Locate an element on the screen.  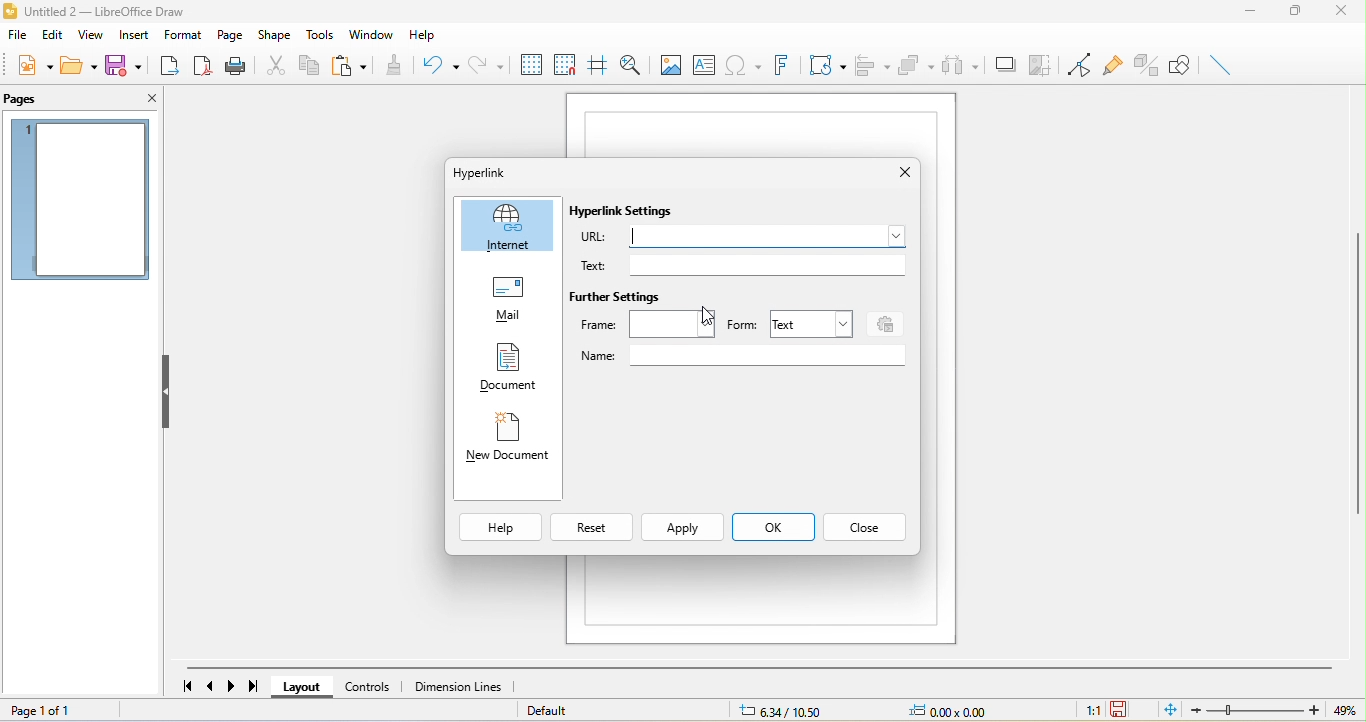
font work text is located at coordinates (785, 64).